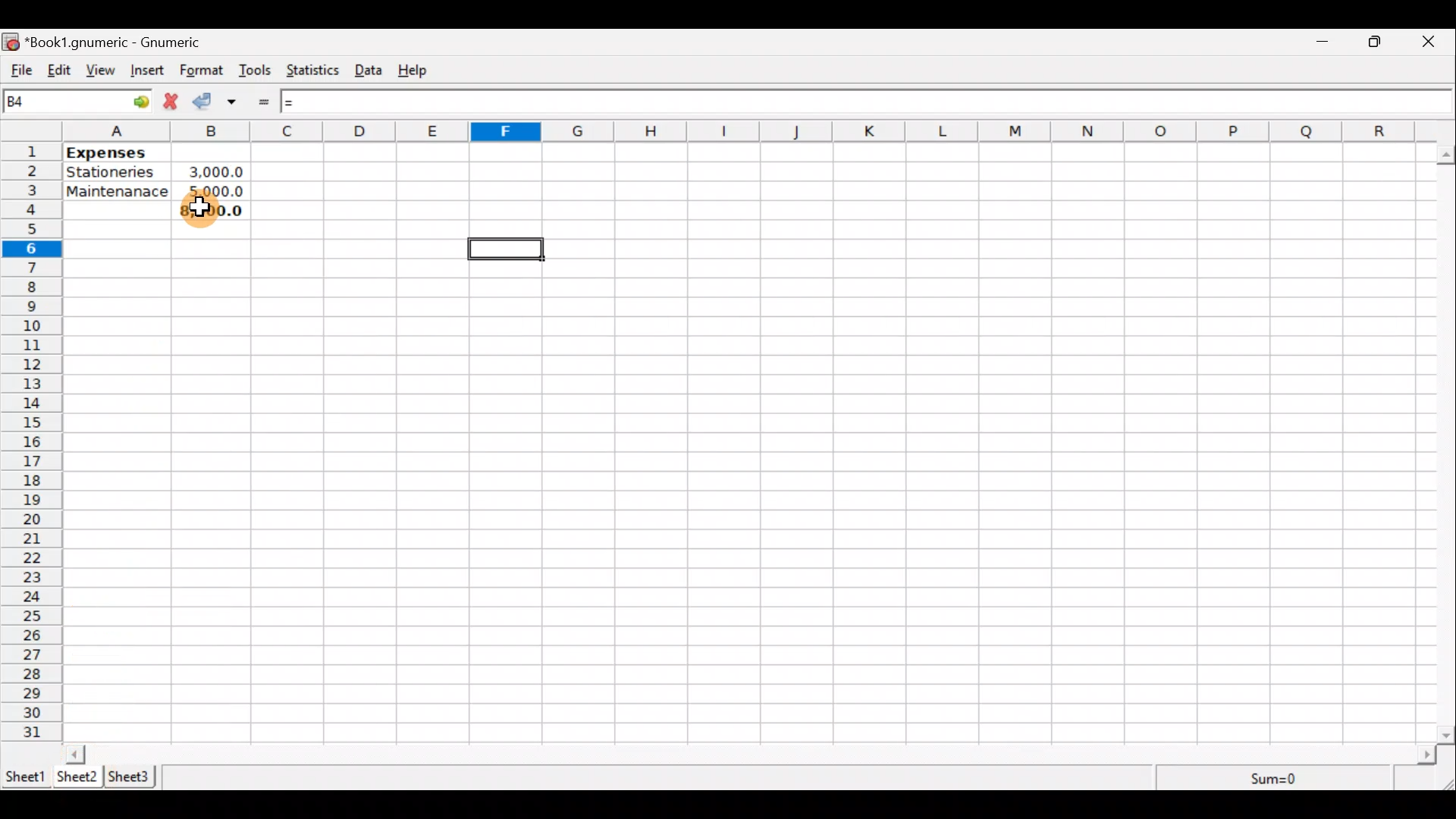 The height and width of the screenshot is (819, 1456). I want to click on Cancel change, so click(174, 103).